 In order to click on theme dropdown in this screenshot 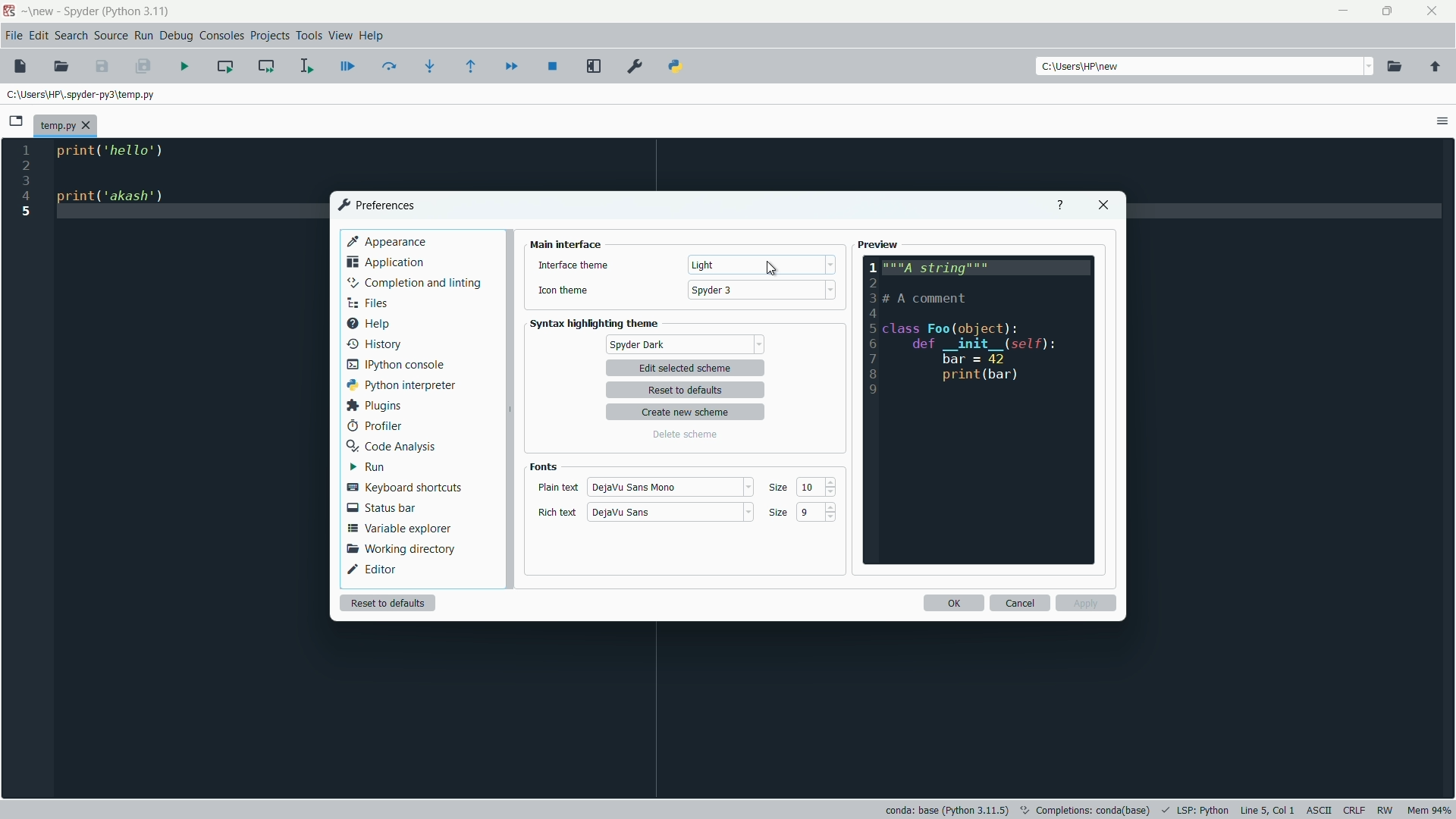, I will do `click(762, 265)`.